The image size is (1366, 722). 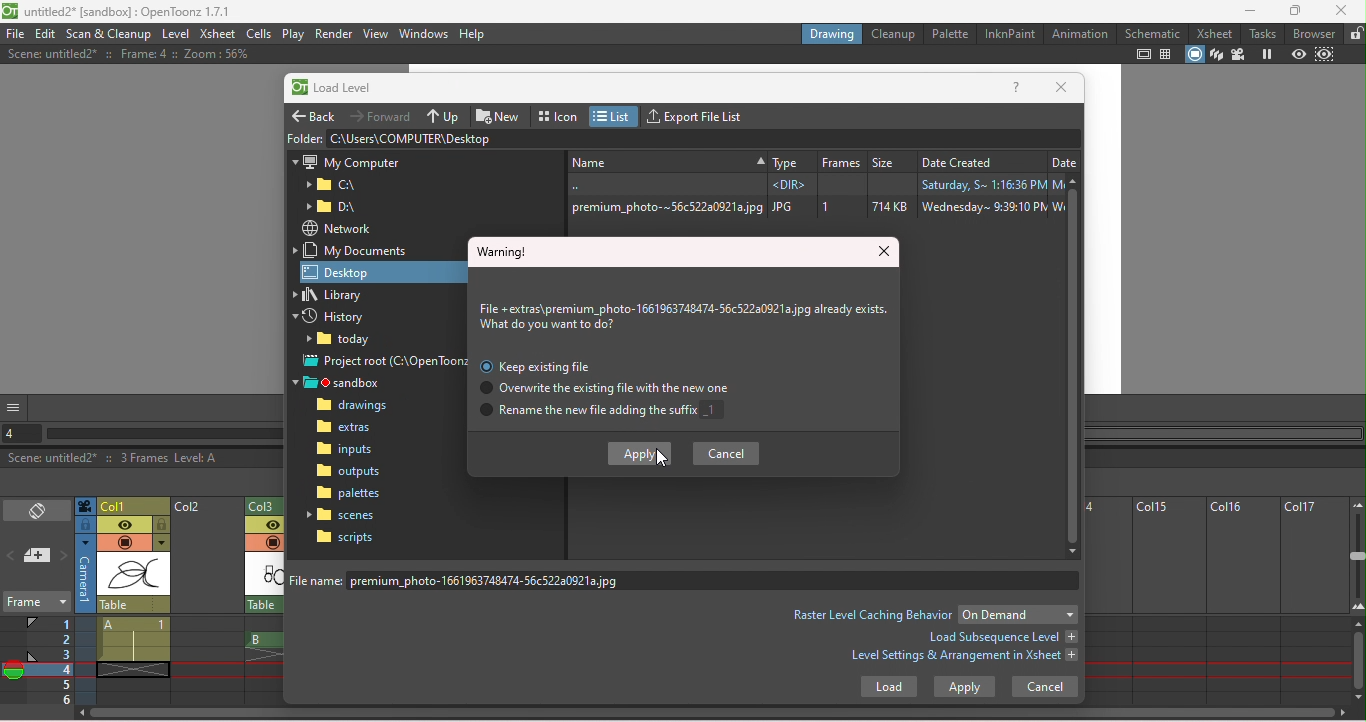 I want to click on Inputs, so click(x=348, y=451).